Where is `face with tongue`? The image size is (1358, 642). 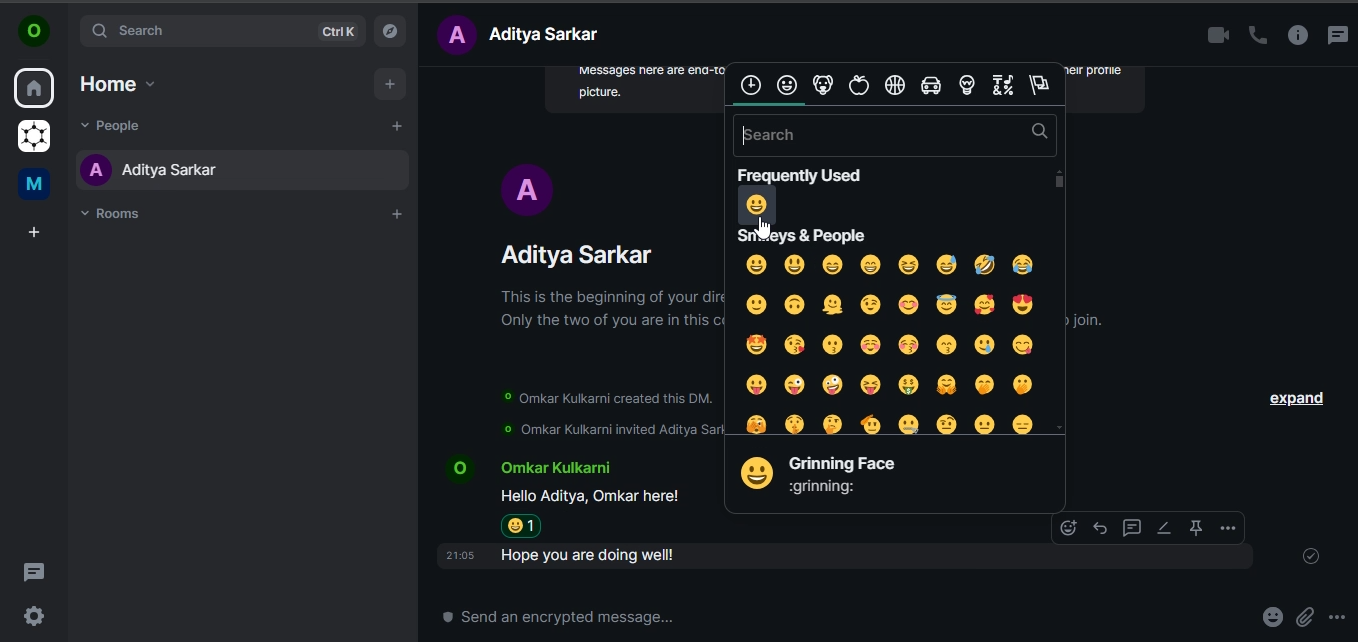 face with tongue is located at coordinates (756, 384).